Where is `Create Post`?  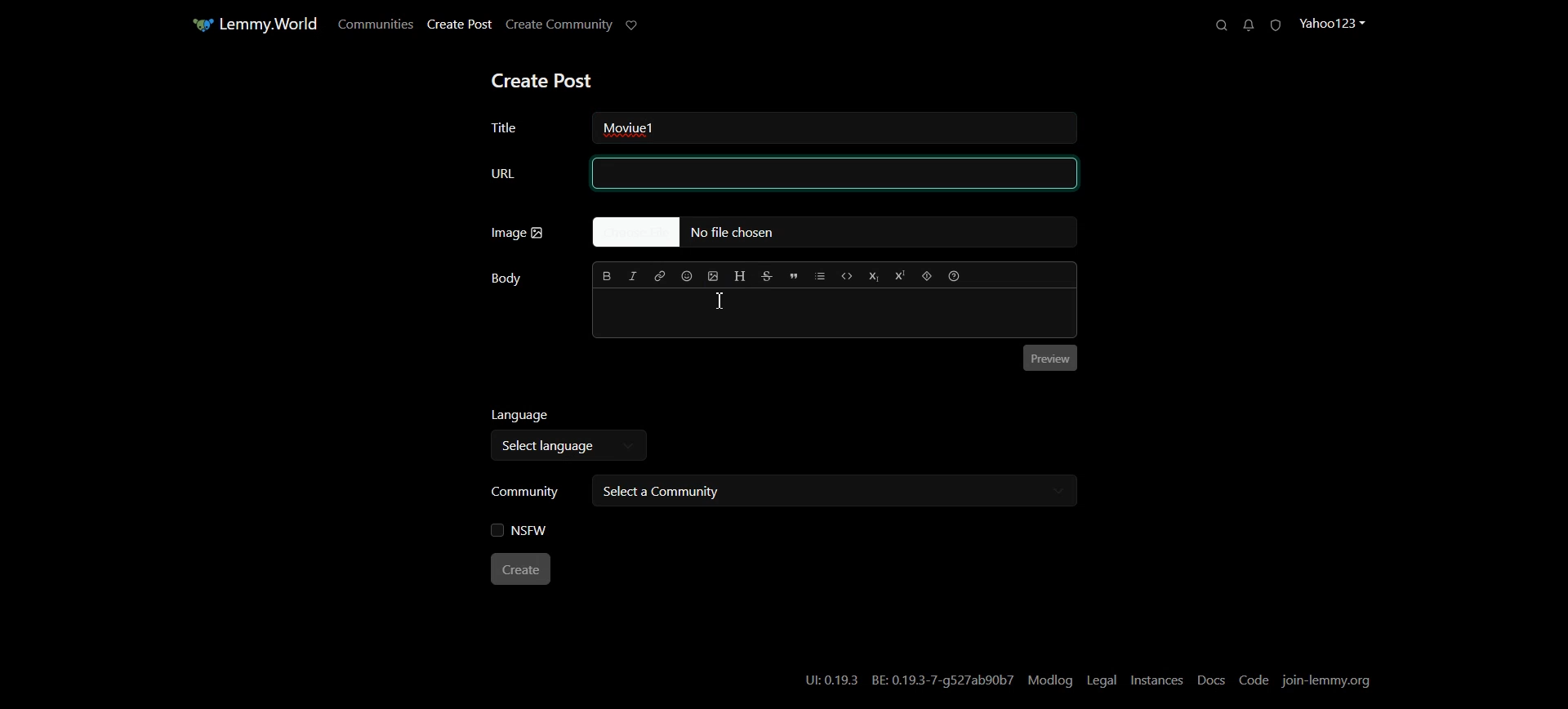 Create Post is located at coordinates (541, 82).